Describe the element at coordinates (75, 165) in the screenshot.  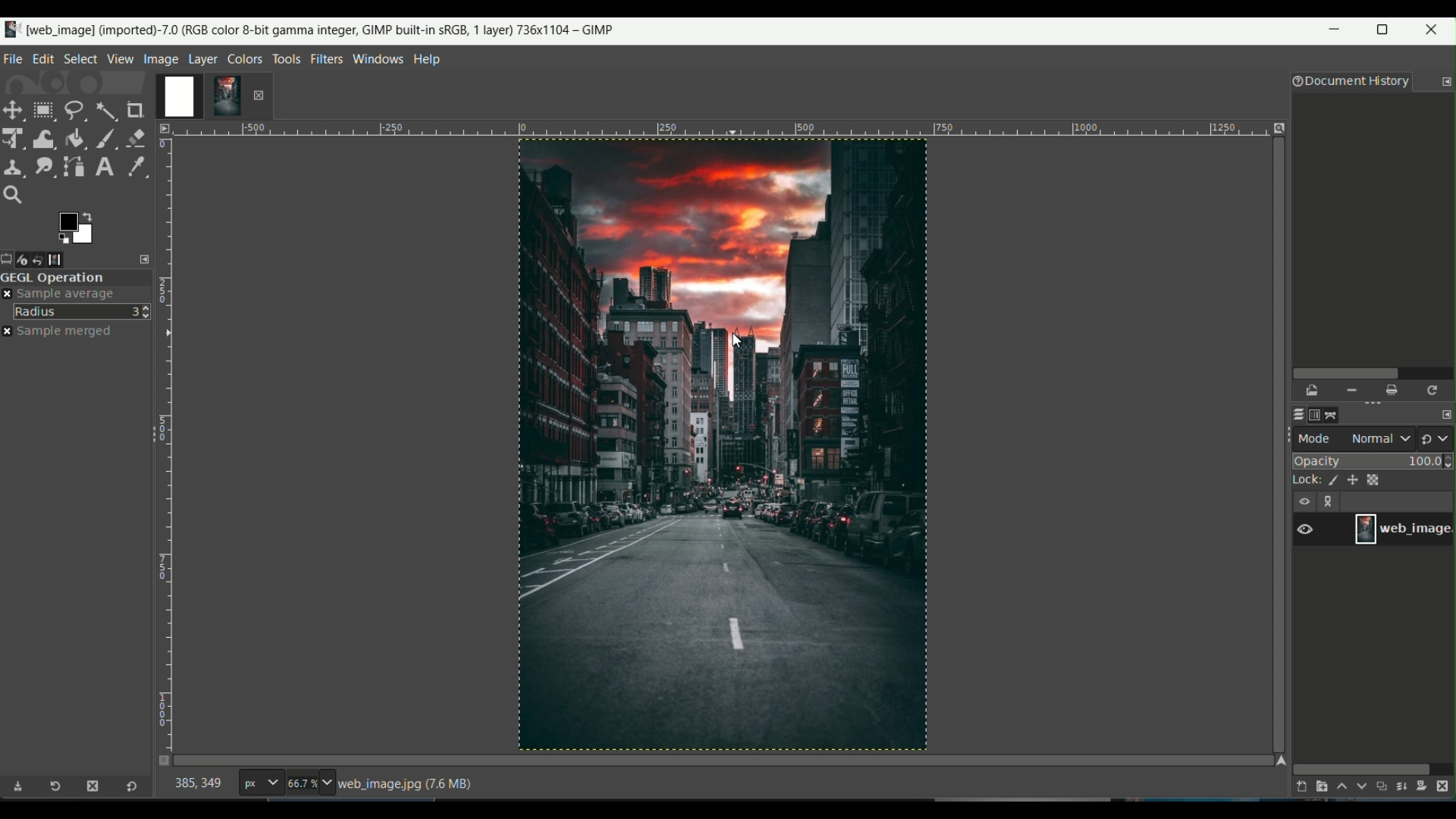
I see `path tool` at that location.